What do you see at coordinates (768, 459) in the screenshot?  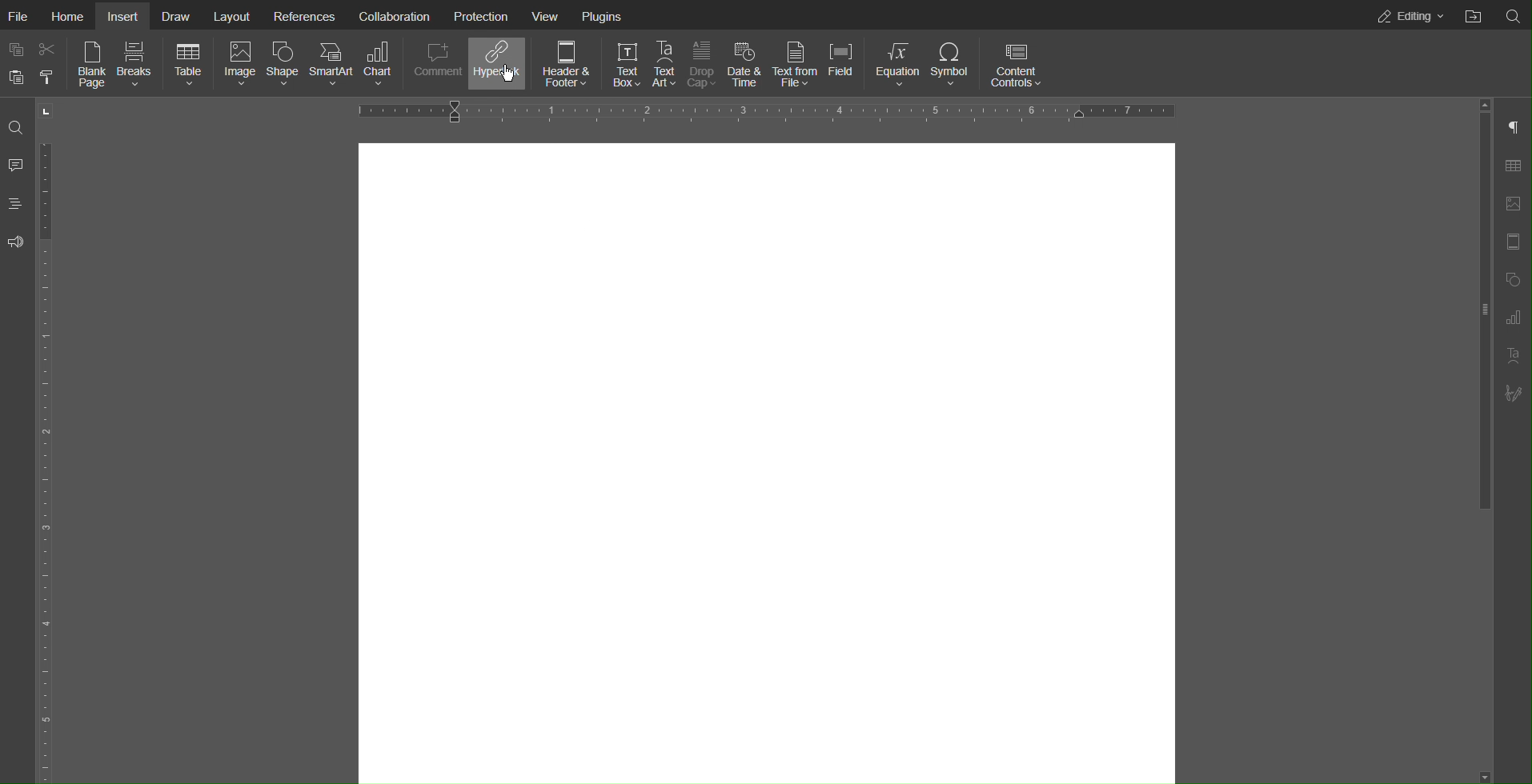 I see `blank page` at bounding box center [768, 459].